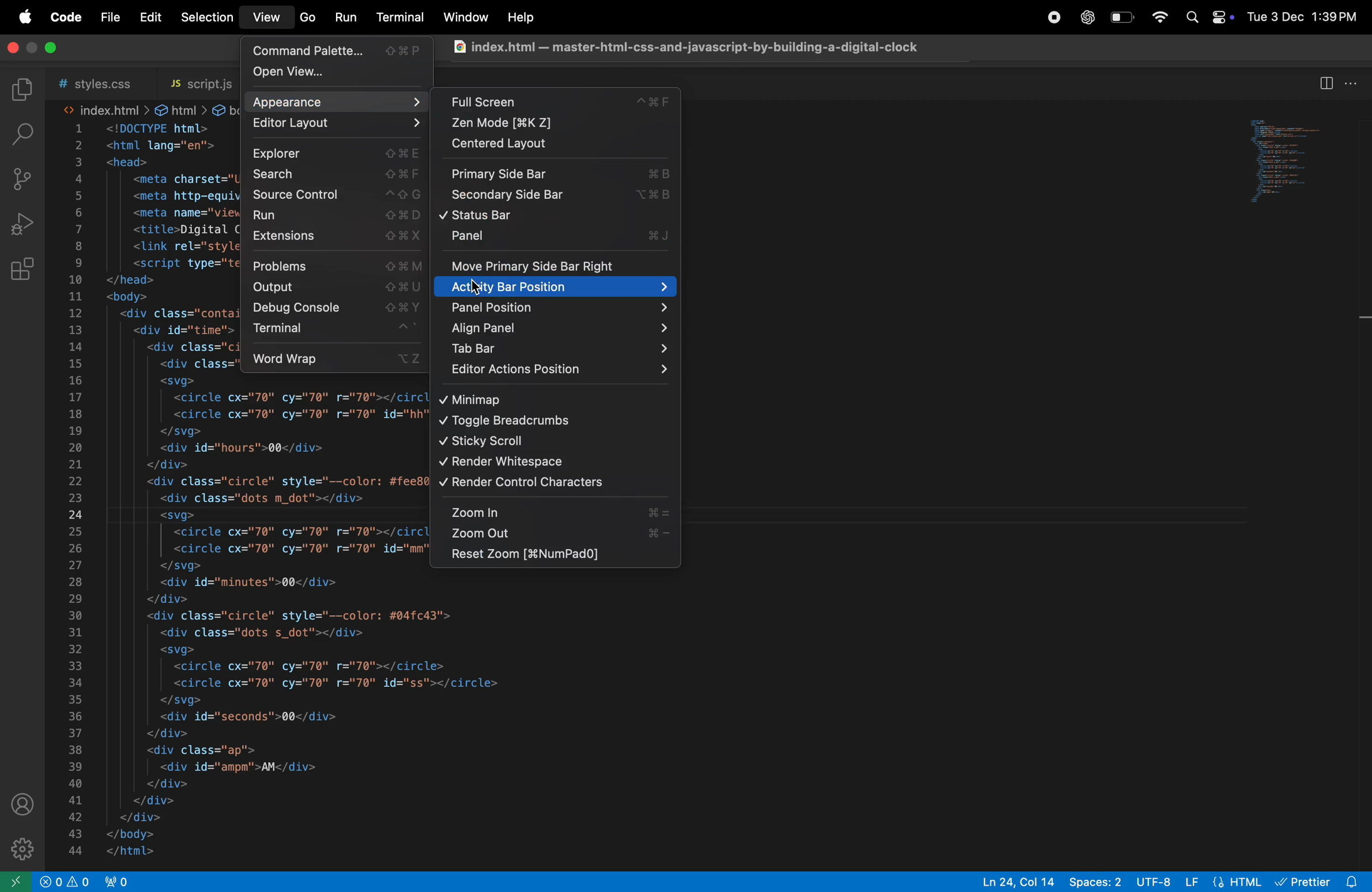 The image size is (1372, 892). I want to click on html, so click(1225, 880).